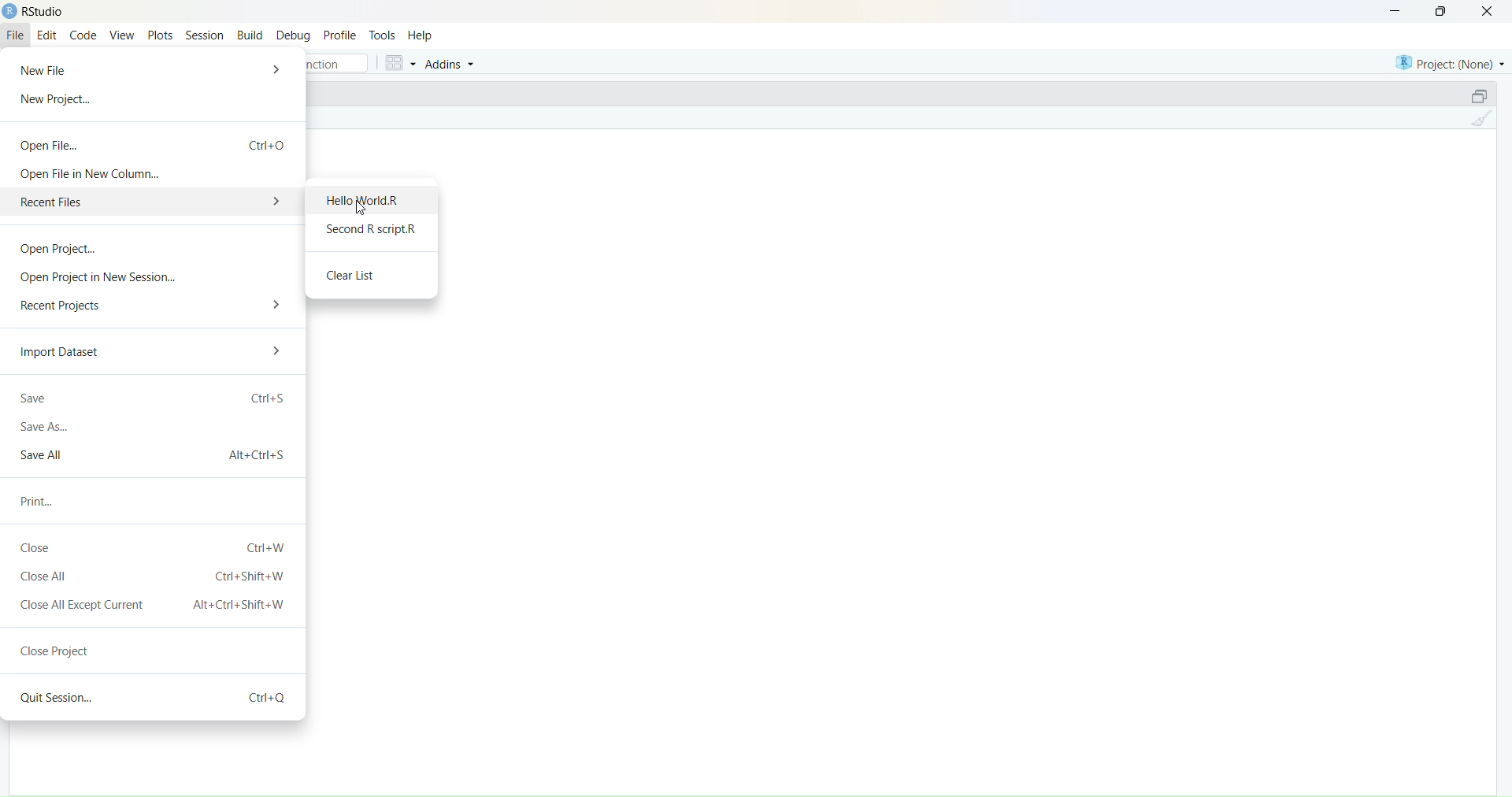 Image resolution: width=1512 pixels, height=797 pixels. Describe the element at coordinates (17, 34) in the screenshot. I see `File` at that location.